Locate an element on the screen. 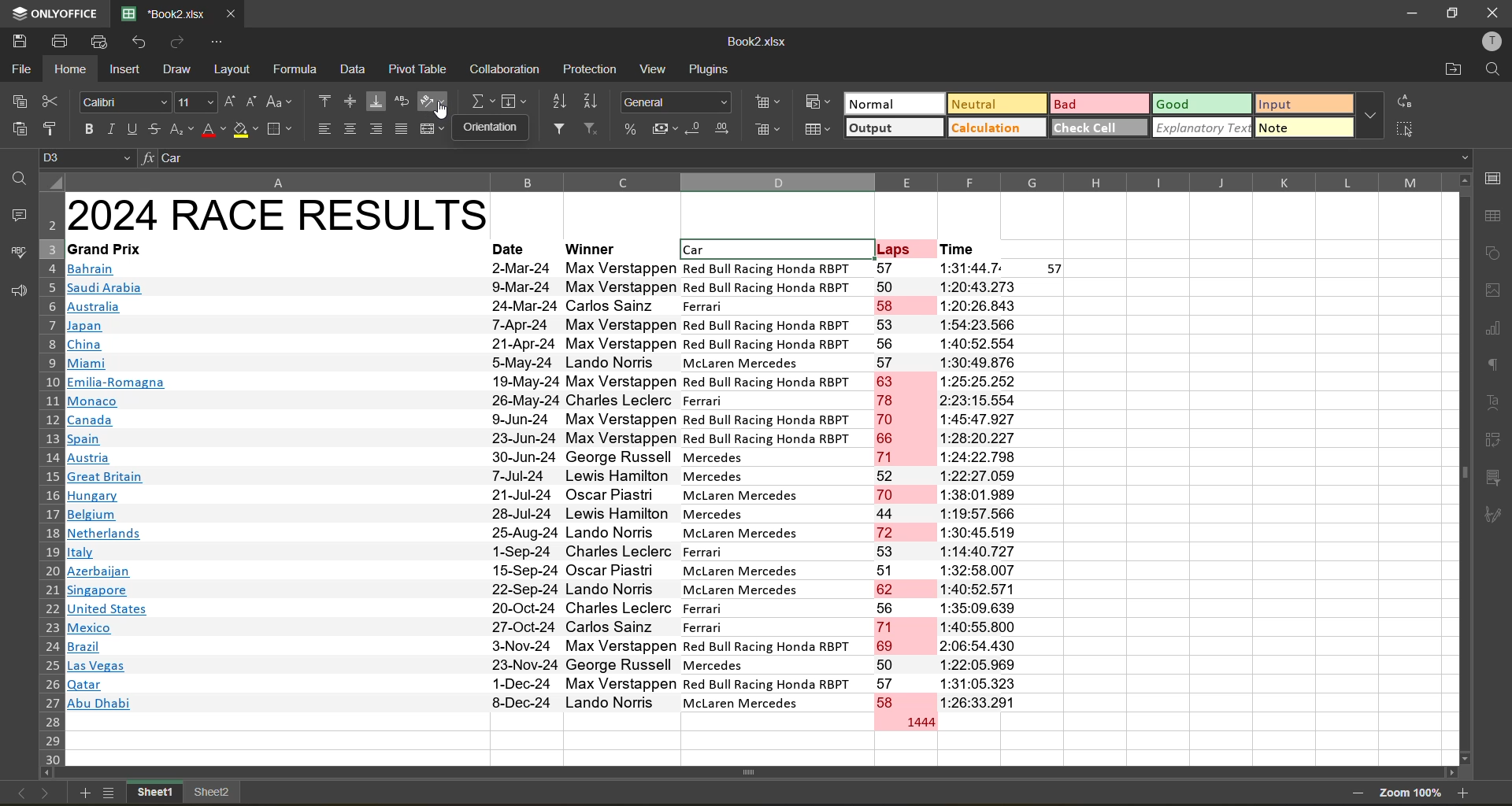 This screenshot has width=1512, height=806. quick print is located at coordinates (102, 40).